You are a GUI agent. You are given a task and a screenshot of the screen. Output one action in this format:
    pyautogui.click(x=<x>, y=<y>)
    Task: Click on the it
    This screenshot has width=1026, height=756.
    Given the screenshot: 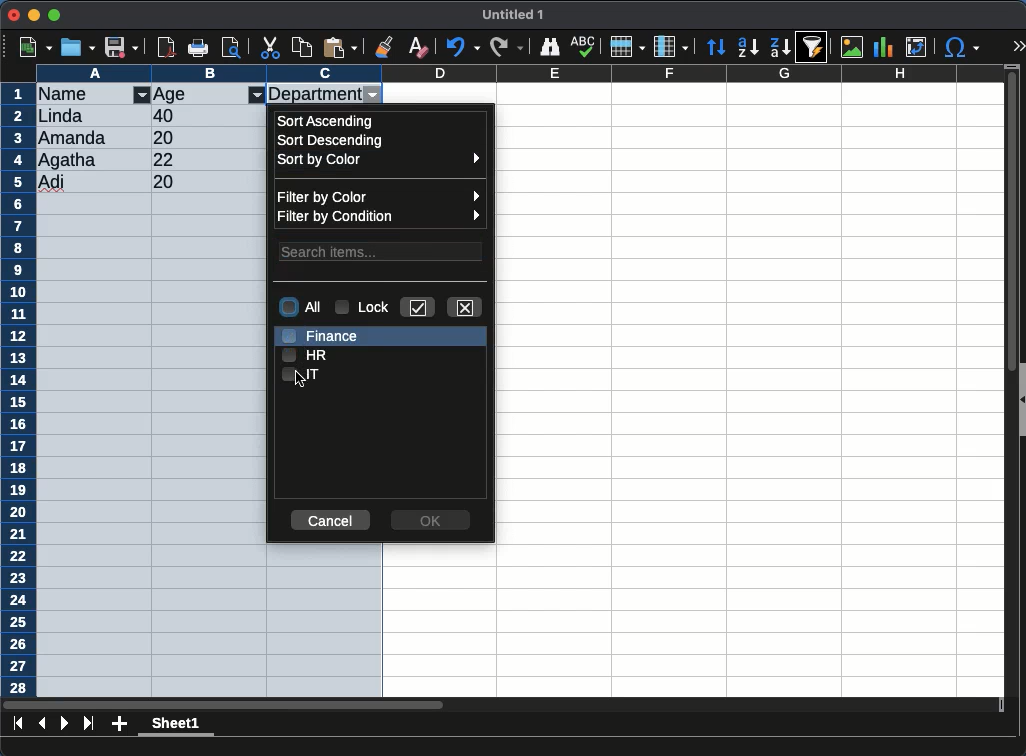 What is the action you would take?
    pyautogui.click(x=303, y=375)
    